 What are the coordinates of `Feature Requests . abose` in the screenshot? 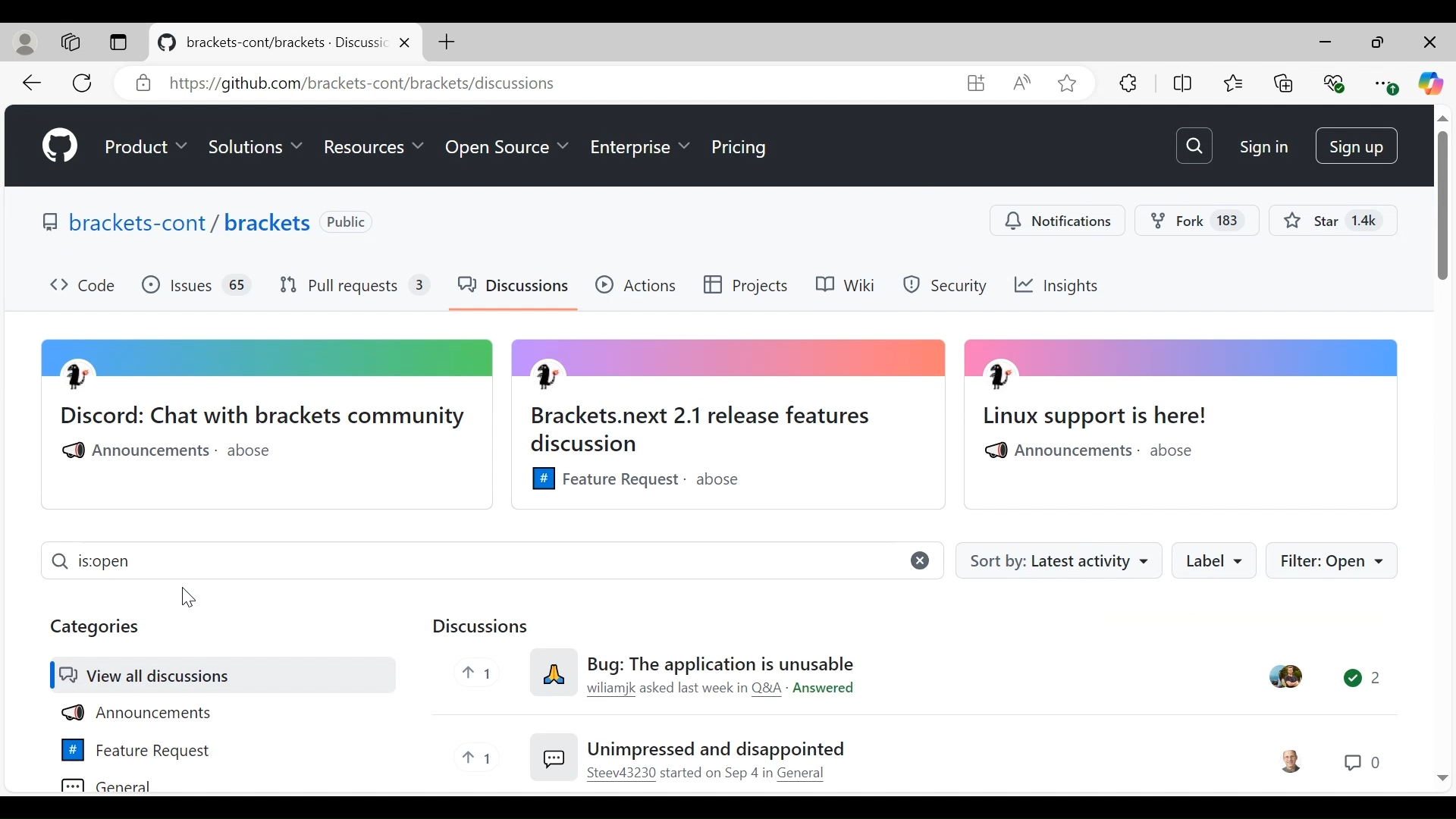 It's located at (627, 478).